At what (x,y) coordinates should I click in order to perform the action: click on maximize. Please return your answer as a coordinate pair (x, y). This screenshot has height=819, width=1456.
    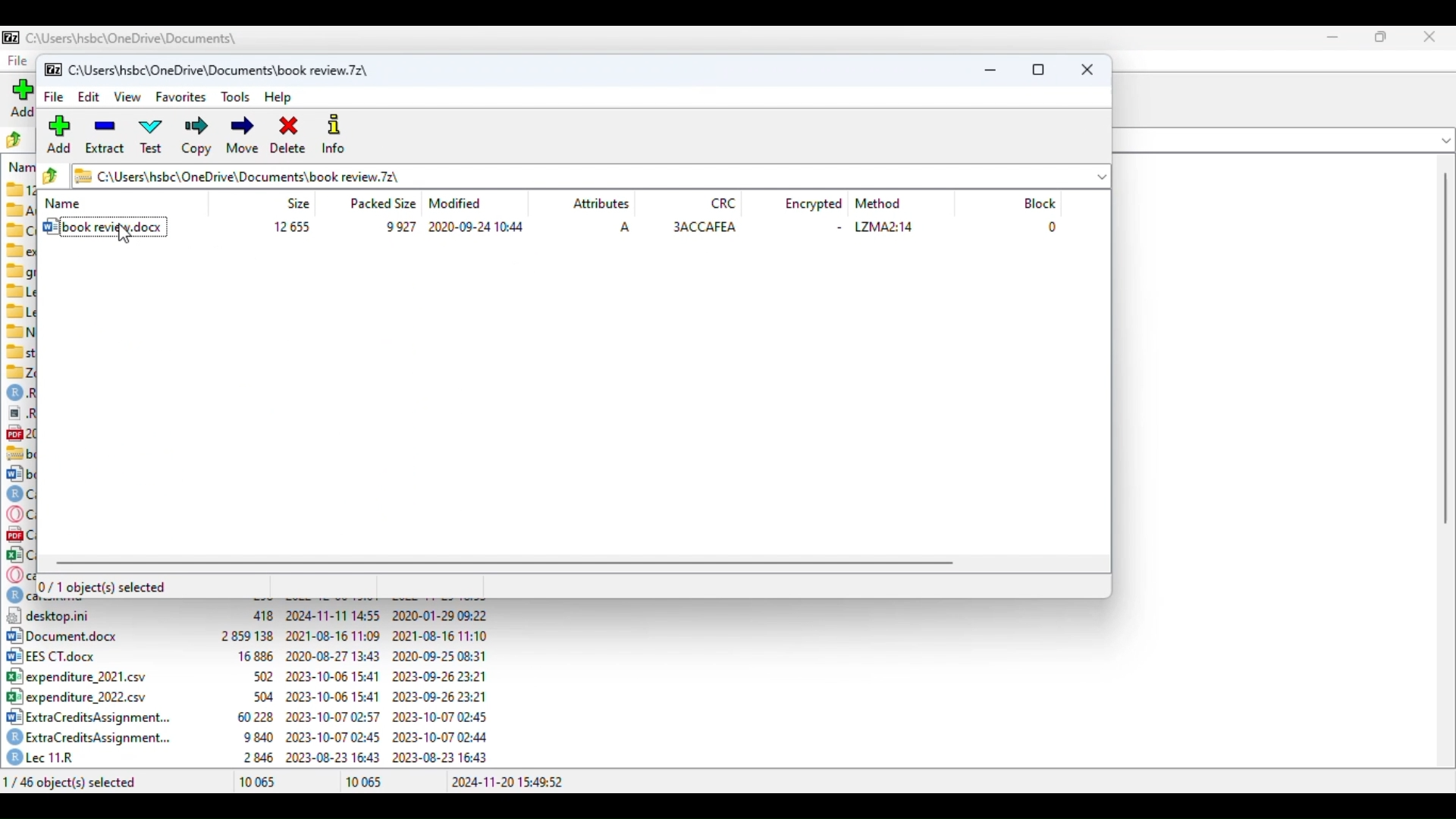
    Looking at the image, I should click on (1382, 38).